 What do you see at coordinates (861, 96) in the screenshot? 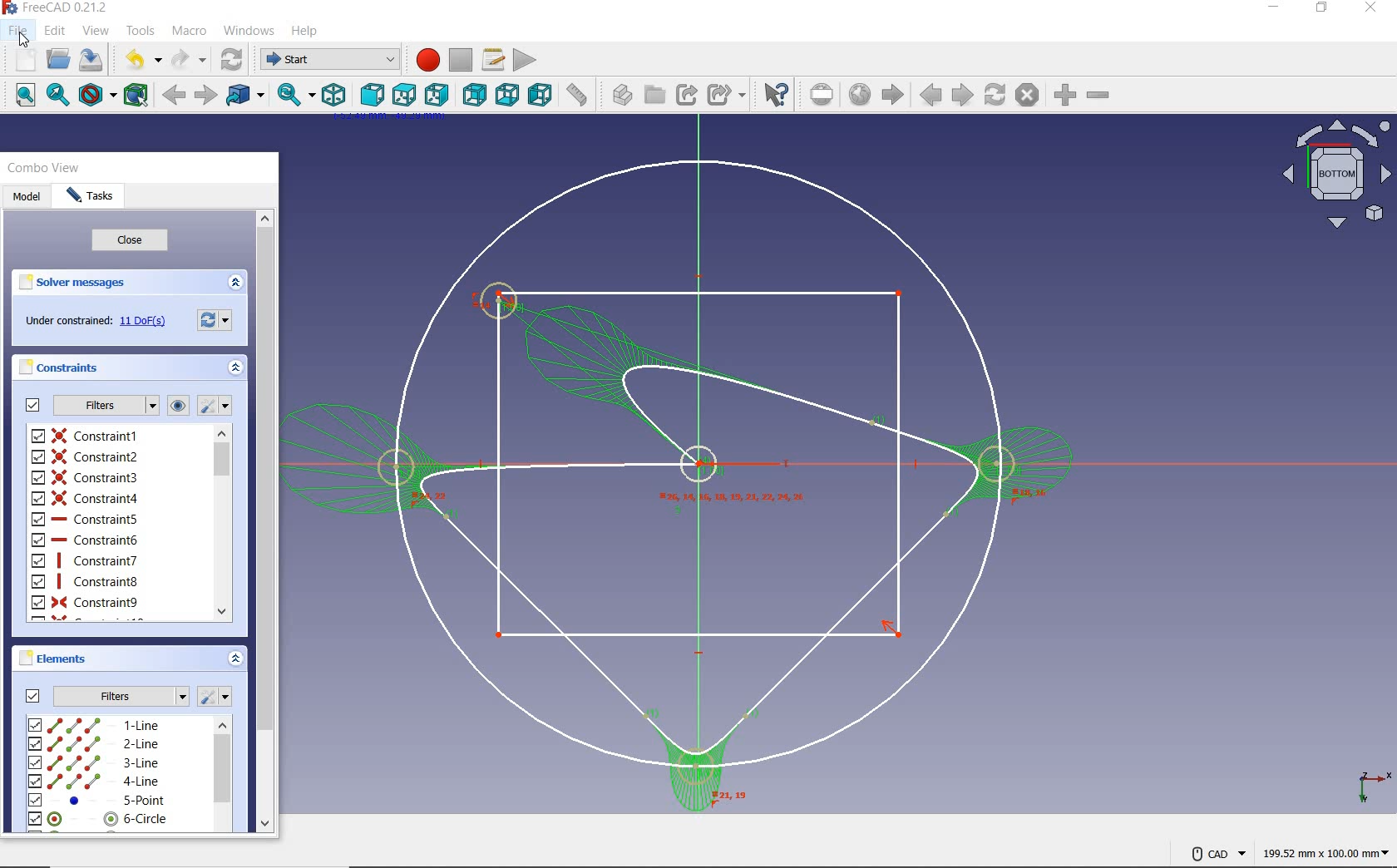
I see `open website` at bounding box center [861, 96].